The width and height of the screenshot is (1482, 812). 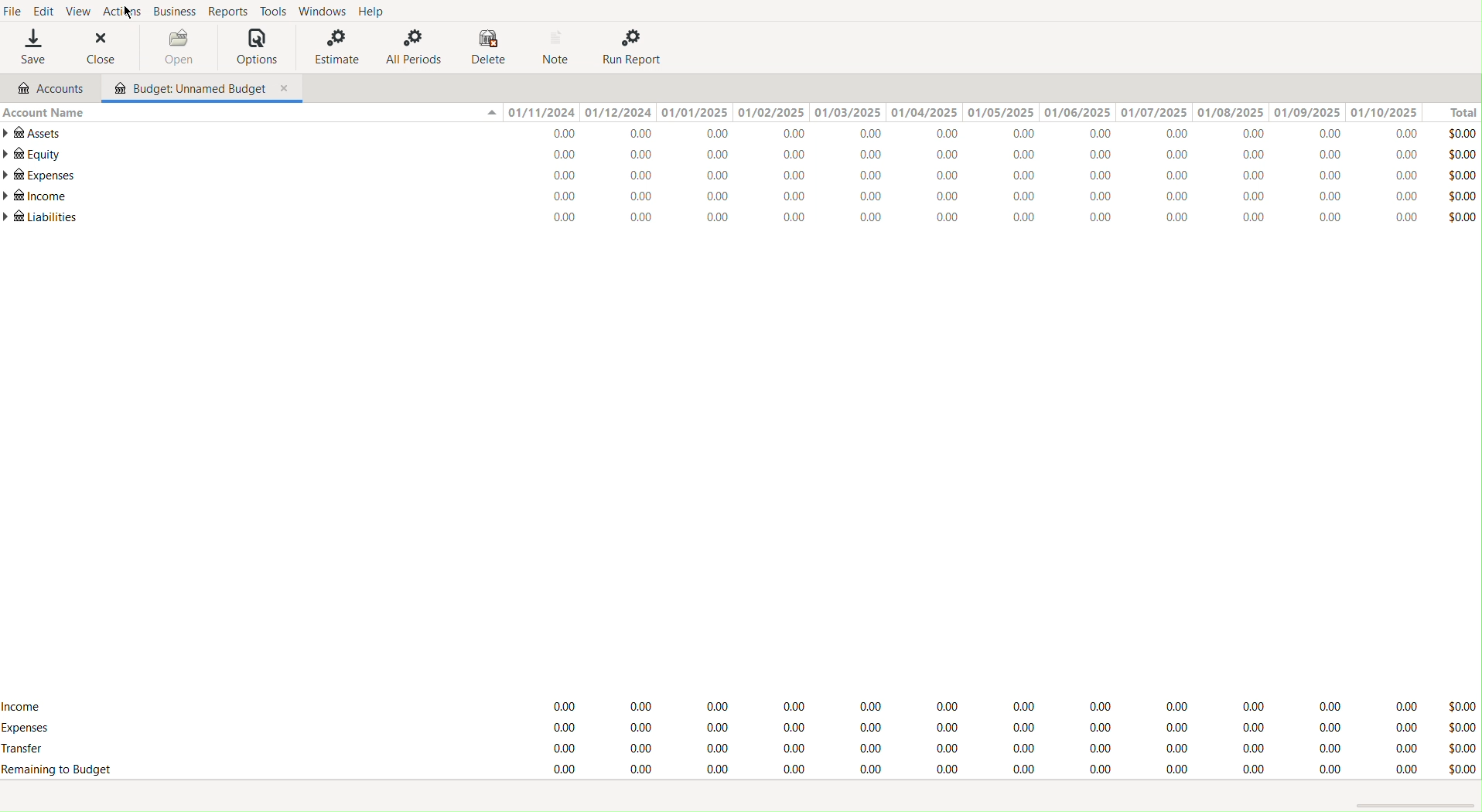 What do you see at coordinates (186, 89) in the screenshot?
I see `Budget: Unnamed Budget` at bounding box center [186, 89].